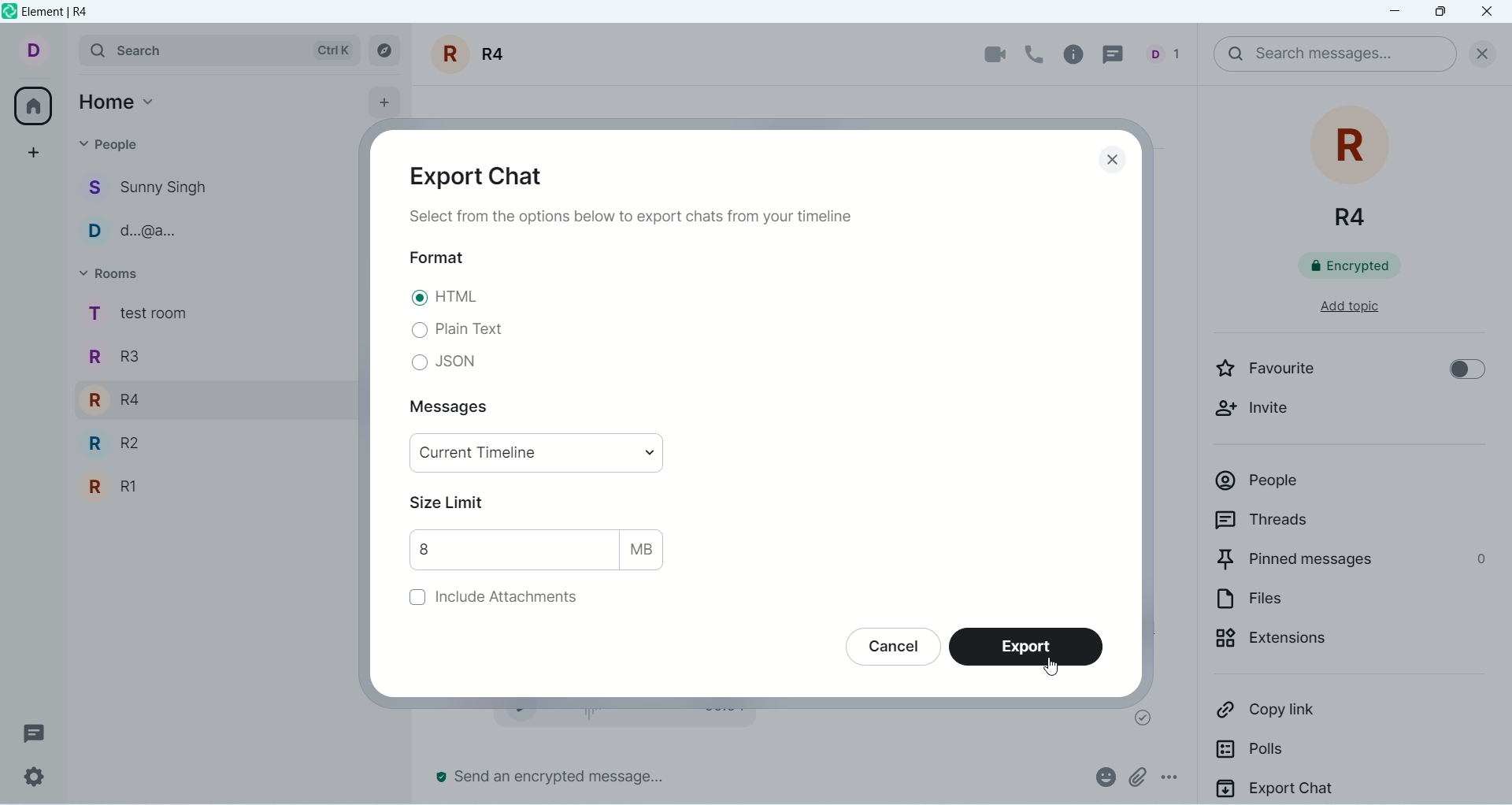  What do you see at coordinates (136, 406) in the screenshot?
I see `rooms` at bounding box center [136, 406].